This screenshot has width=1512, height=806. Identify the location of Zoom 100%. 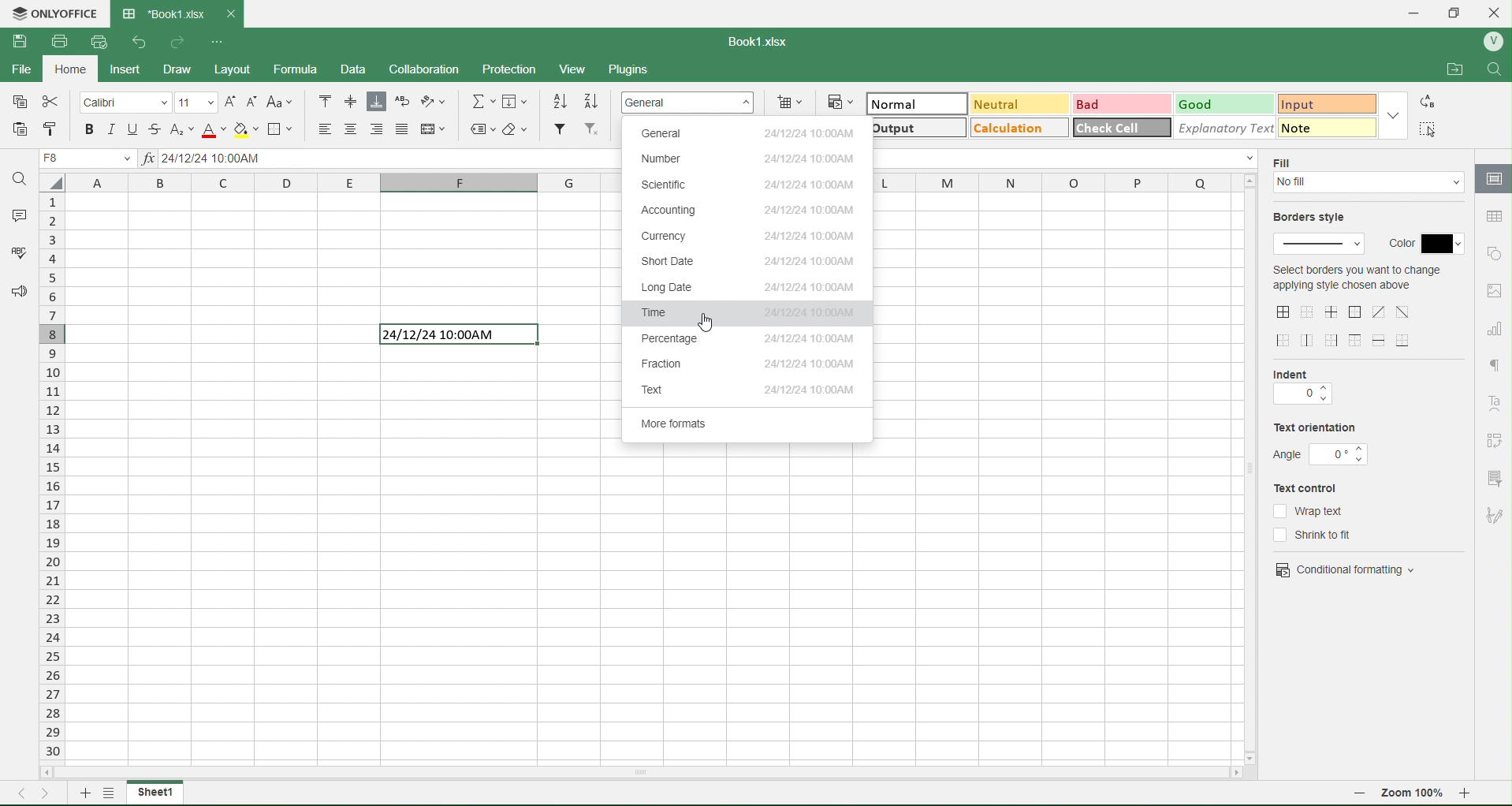
(1414, 795).